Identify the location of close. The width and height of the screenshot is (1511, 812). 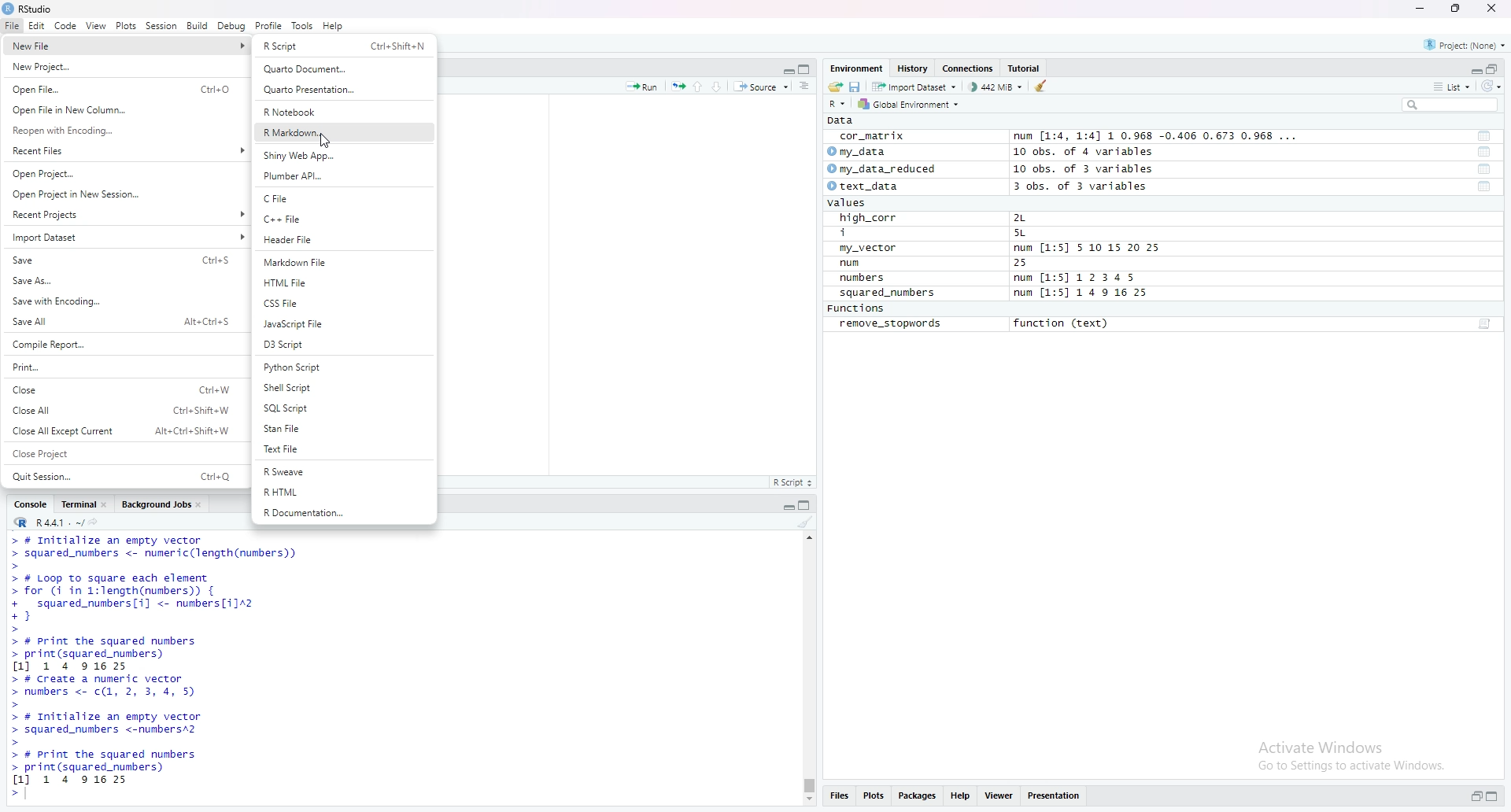
(201, 504).